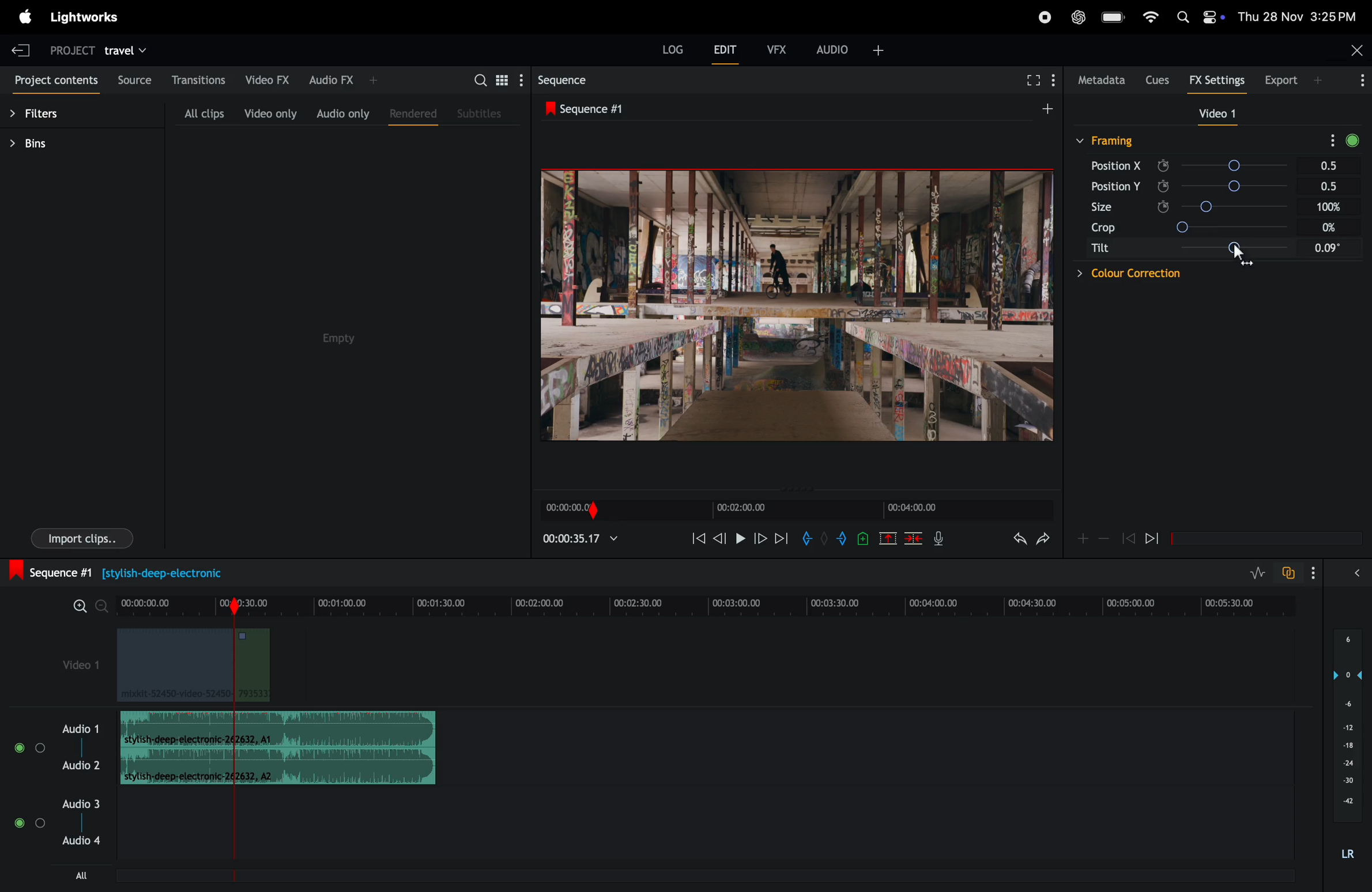 The height and width of the screenshot is (892, 1372). I want to click on meta data, so click(1100, 81).